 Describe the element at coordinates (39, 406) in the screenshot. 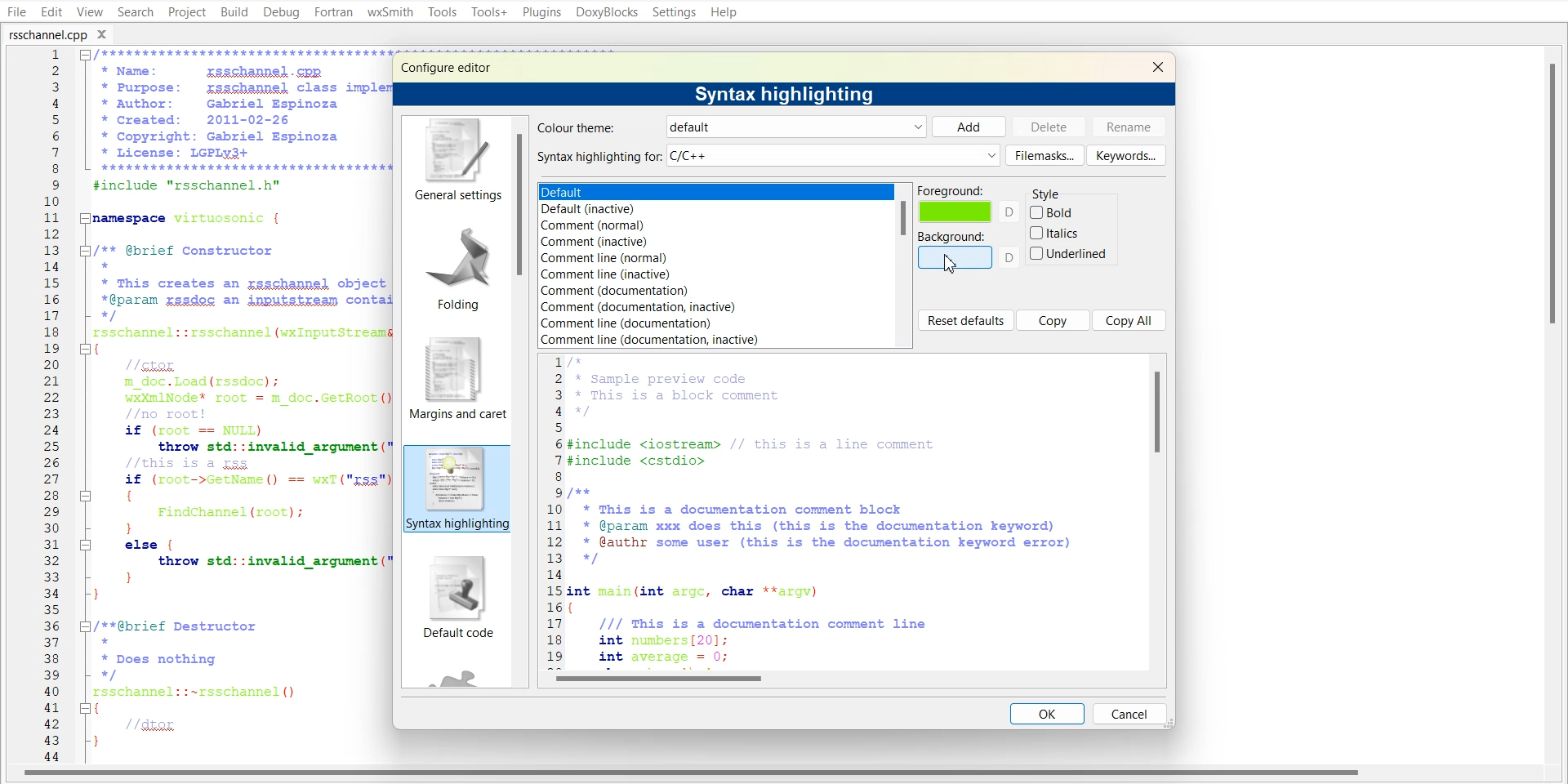

I see `Line Number` at that location.